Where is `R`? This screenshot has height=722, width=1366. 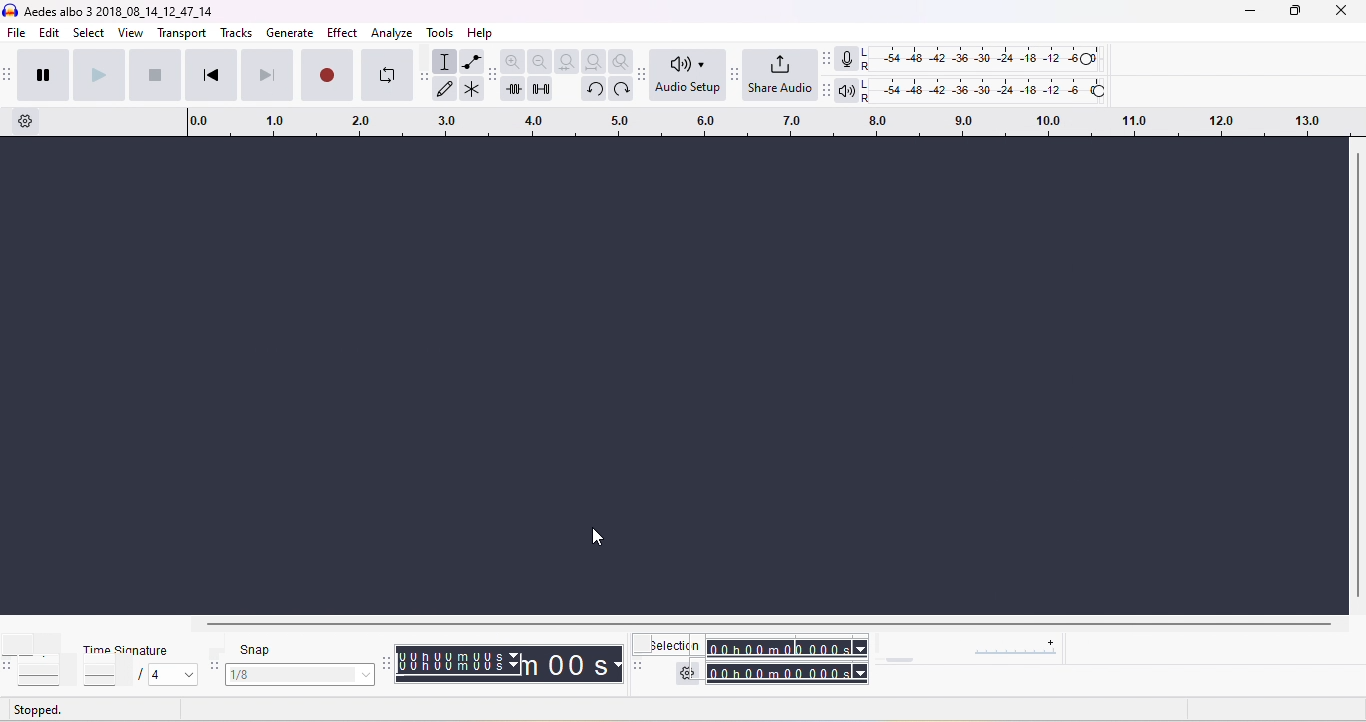 R is located at coordinates (869, 98).